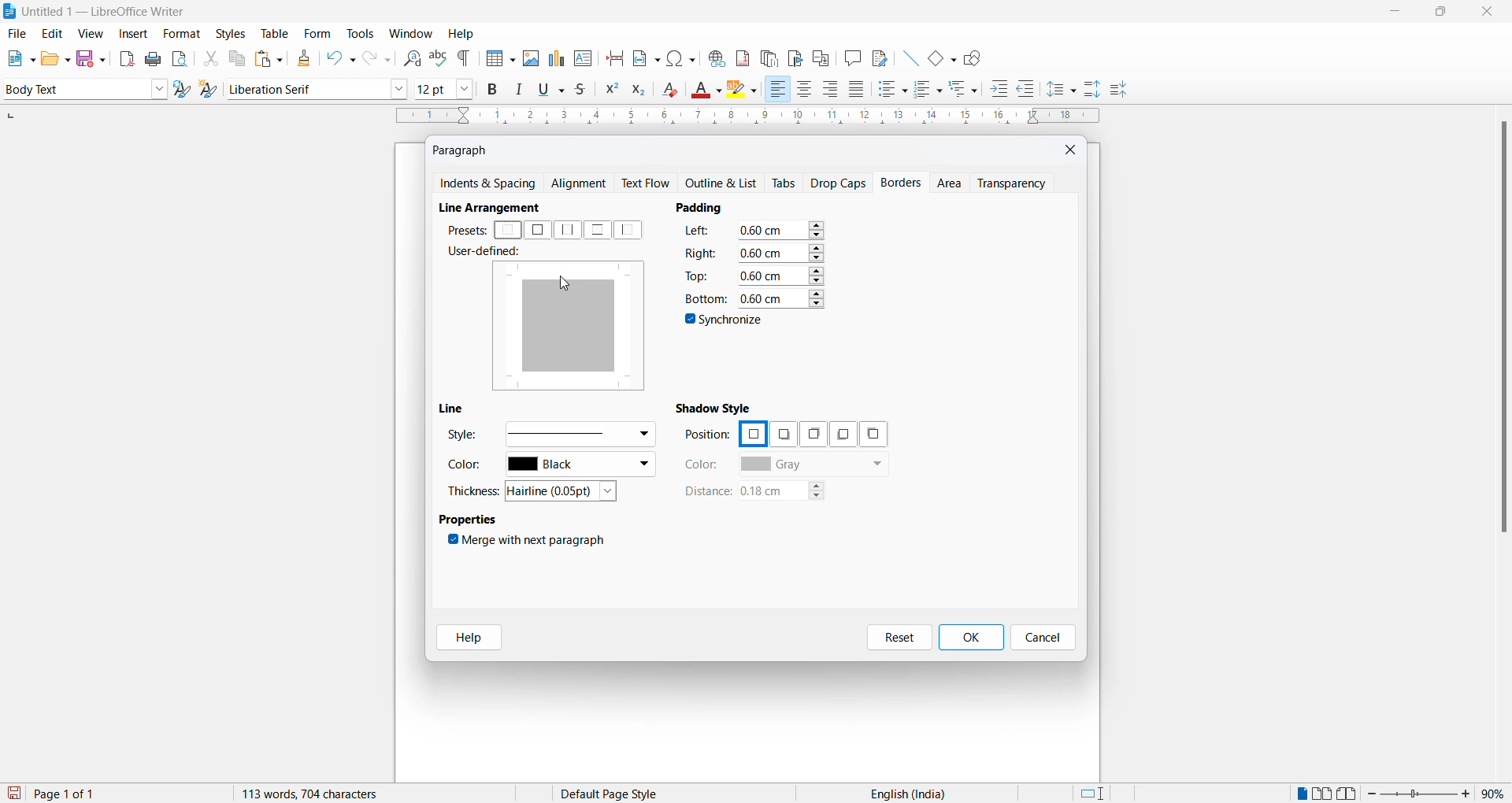 This screenshot has height=803, width=1512. What do you see at coordinates (325, 794) in the screenshot?
I see `words and character count ` at bounding box center [325, 794].